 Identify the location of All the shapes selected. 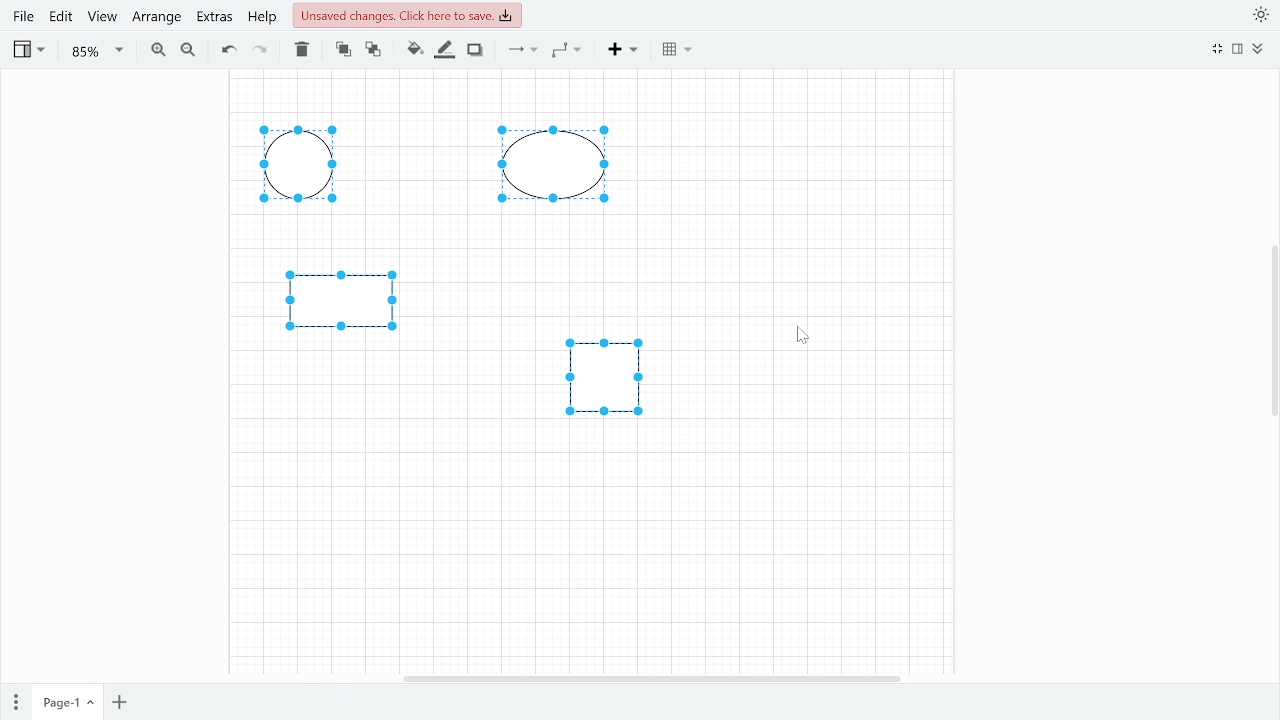
(486, 276).